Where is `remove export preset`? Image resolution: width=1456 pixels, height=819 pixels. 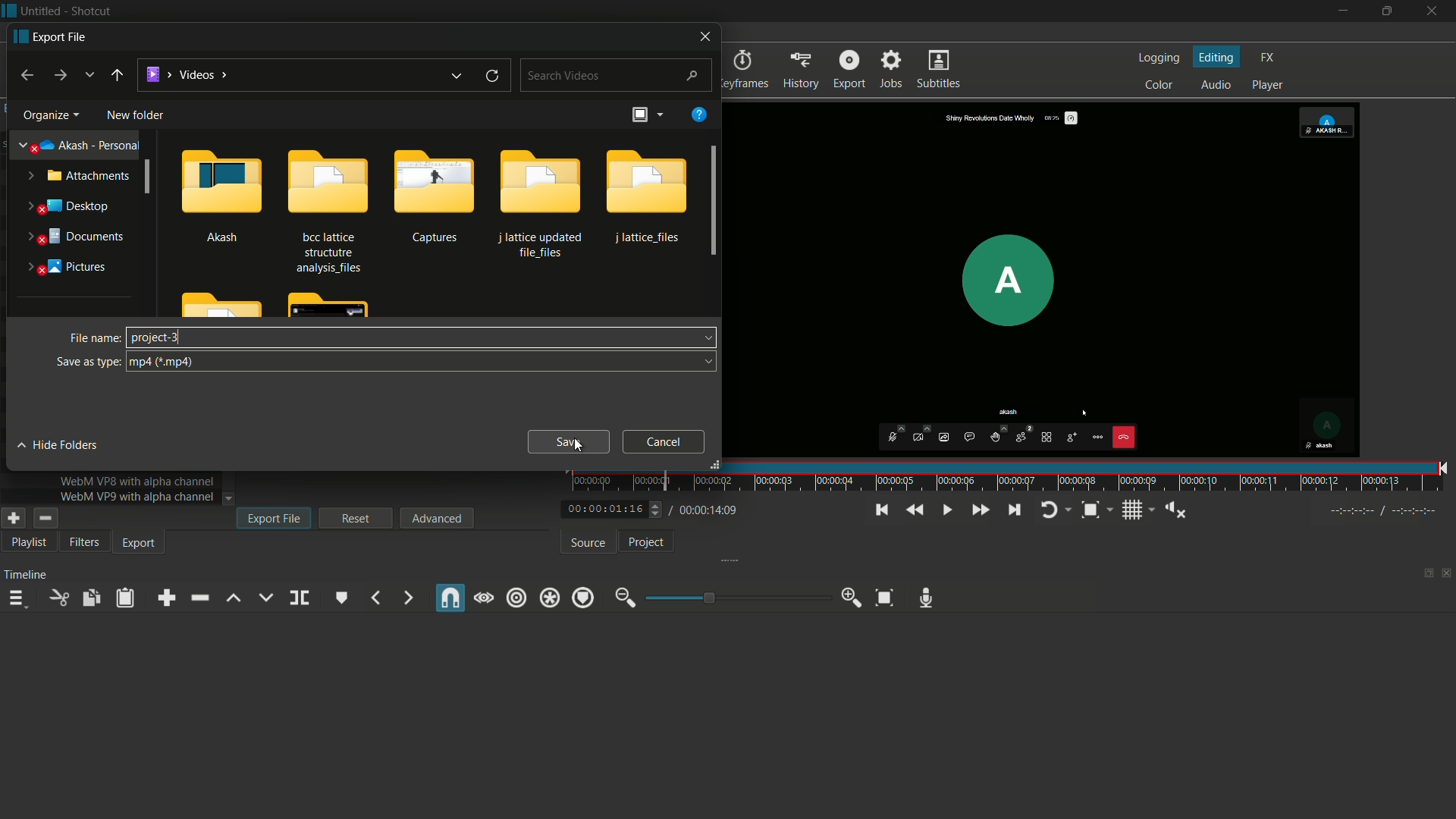 remove export preset is located at coordinates (44, 519).